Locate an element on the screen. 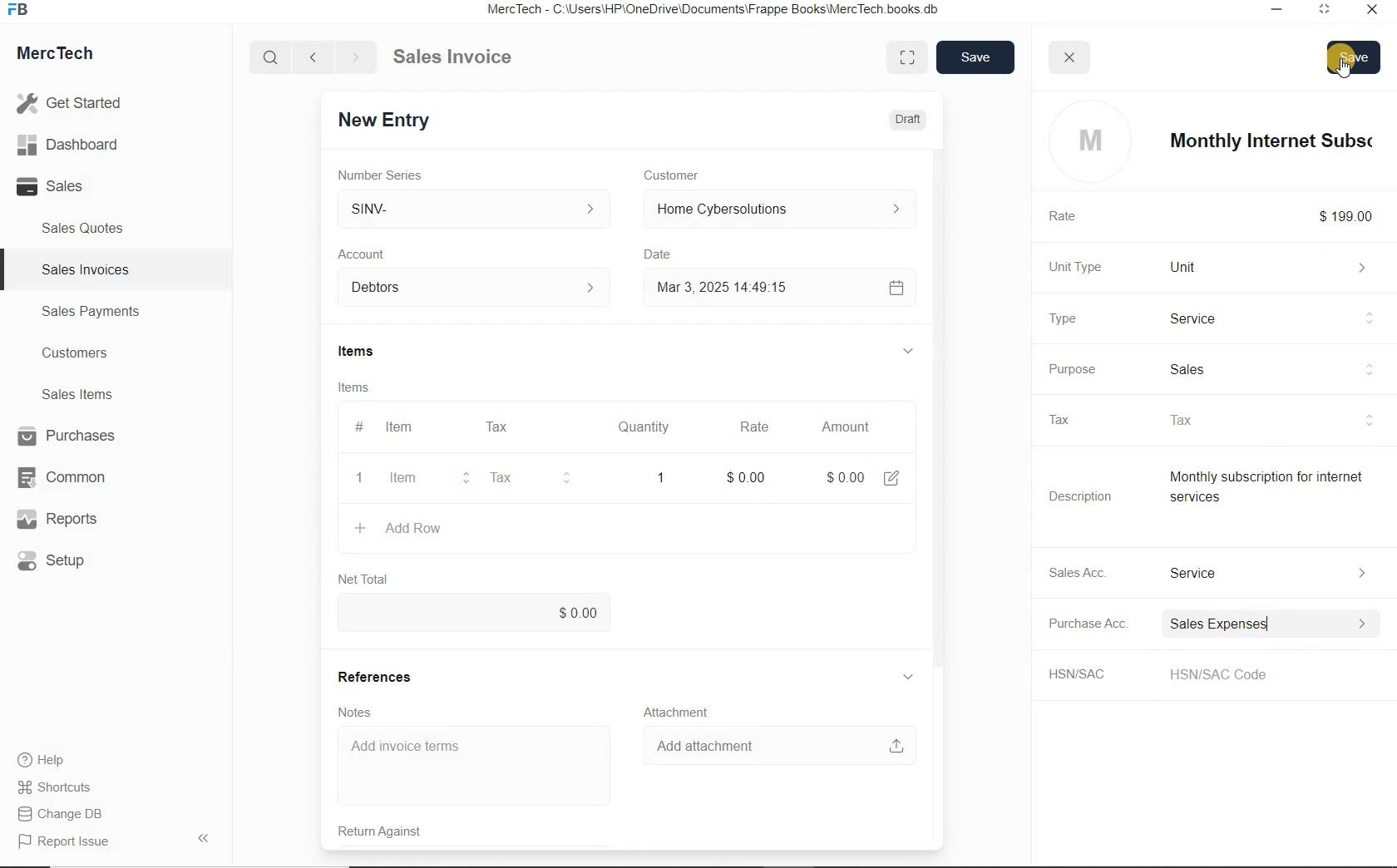 Image resolution: width=1397 pixels, height=868 pixels. Rate is located at coordinates (1059, 217).